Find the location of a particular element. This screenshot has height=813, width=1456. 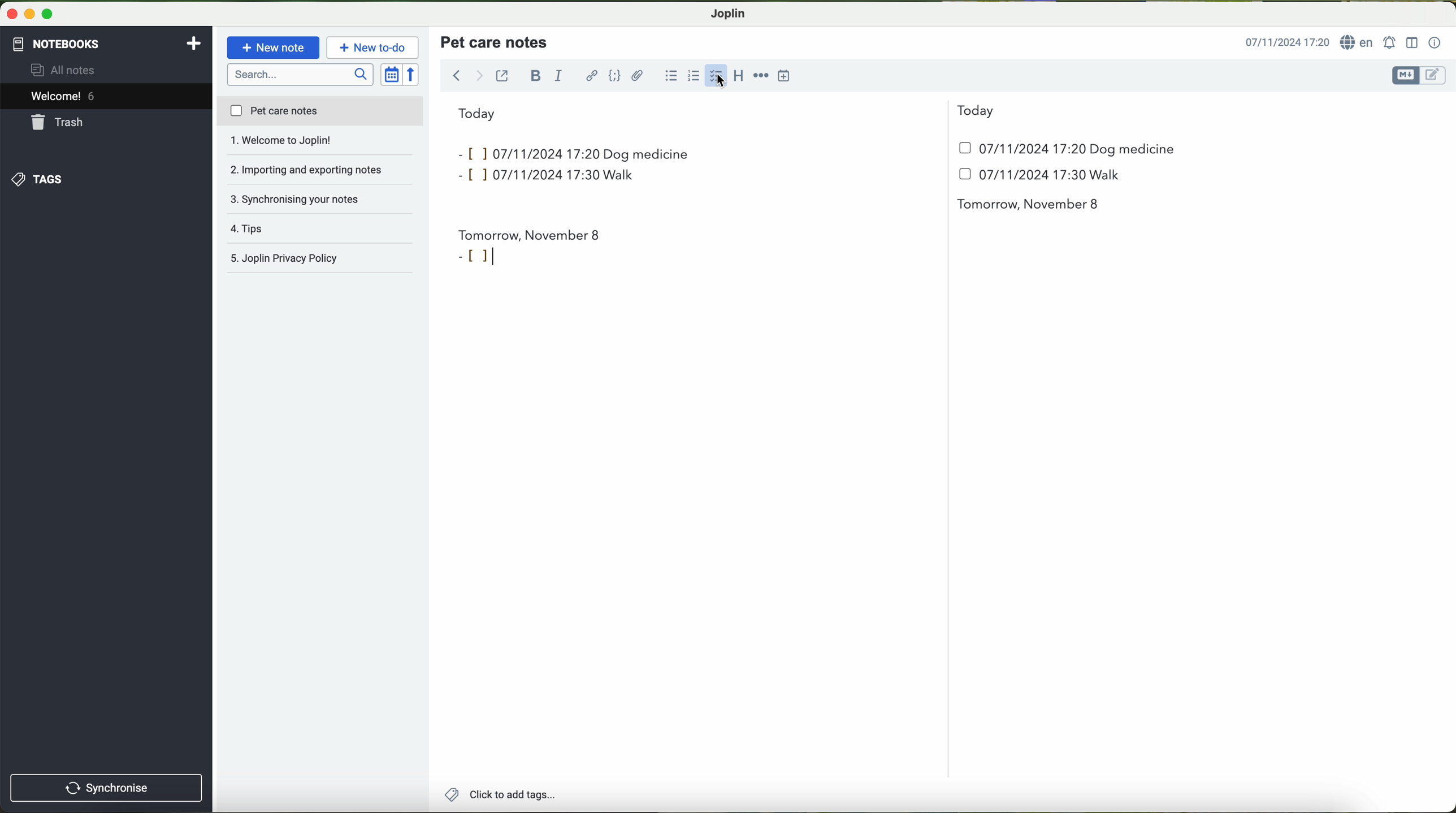

add tags is located at coordinates (500, 796).